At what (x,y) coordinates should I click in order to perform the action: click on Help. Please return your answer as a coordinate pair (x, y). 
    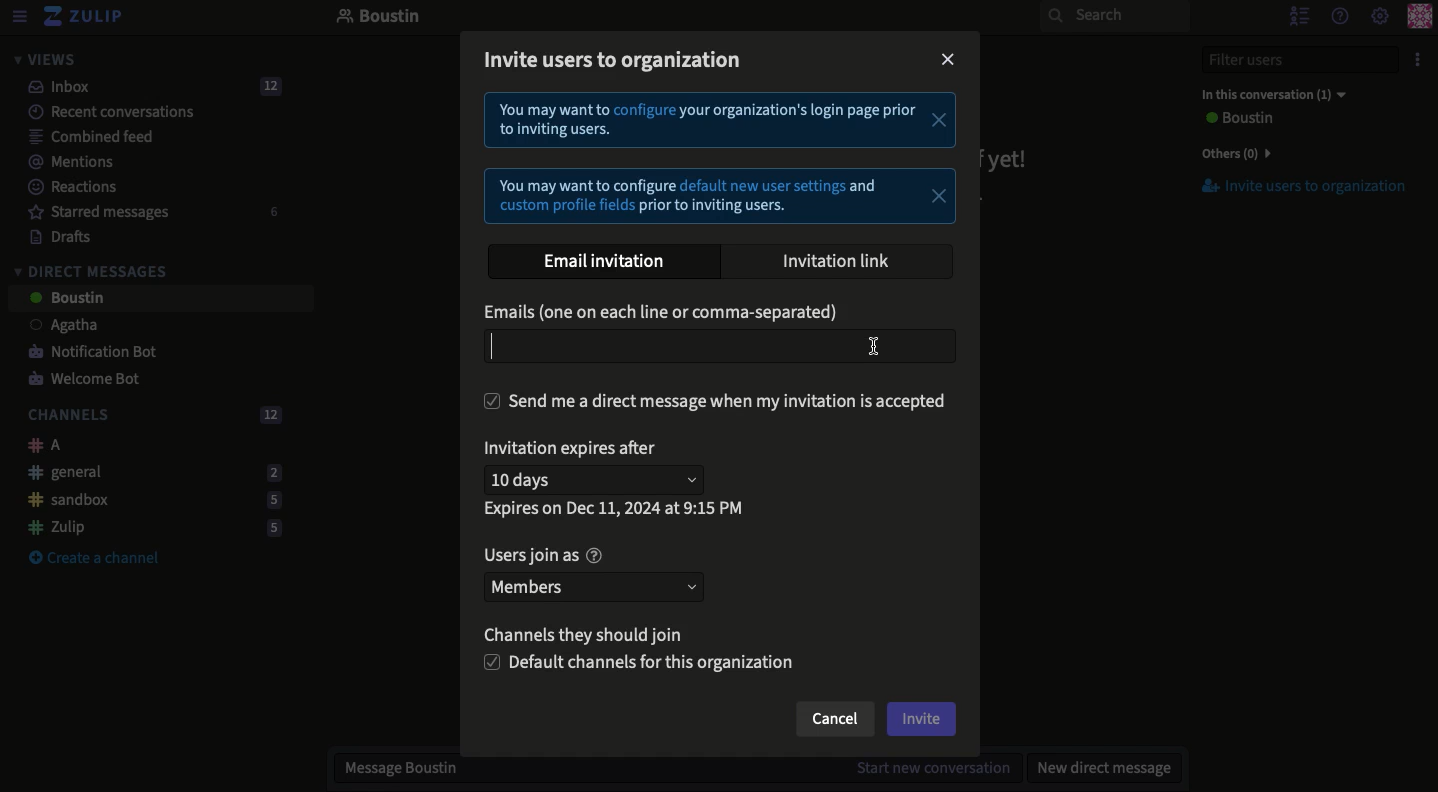
    Looking at the image, I should click on (1338, 15).